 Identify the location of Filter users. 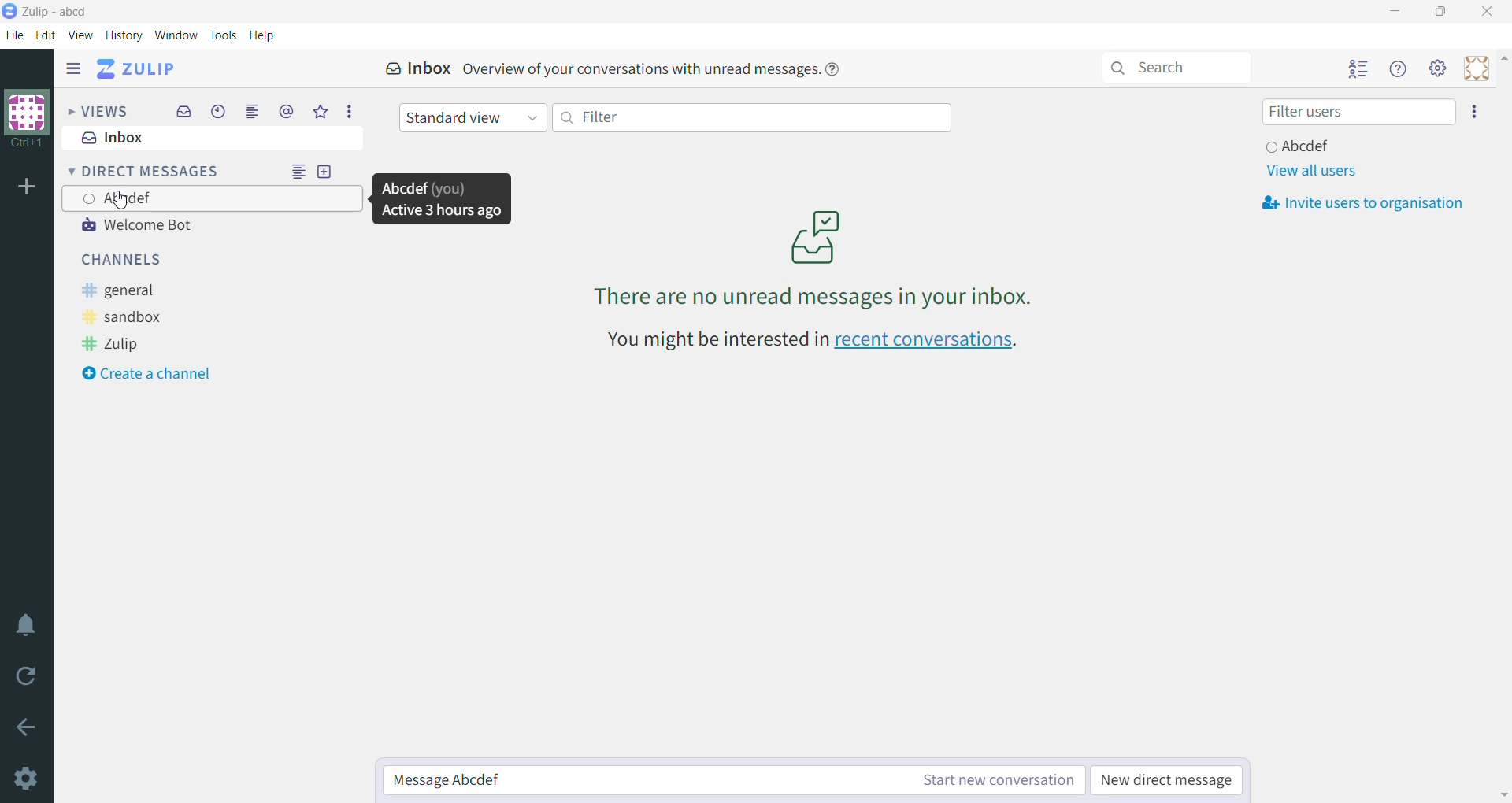
(1357, 112).